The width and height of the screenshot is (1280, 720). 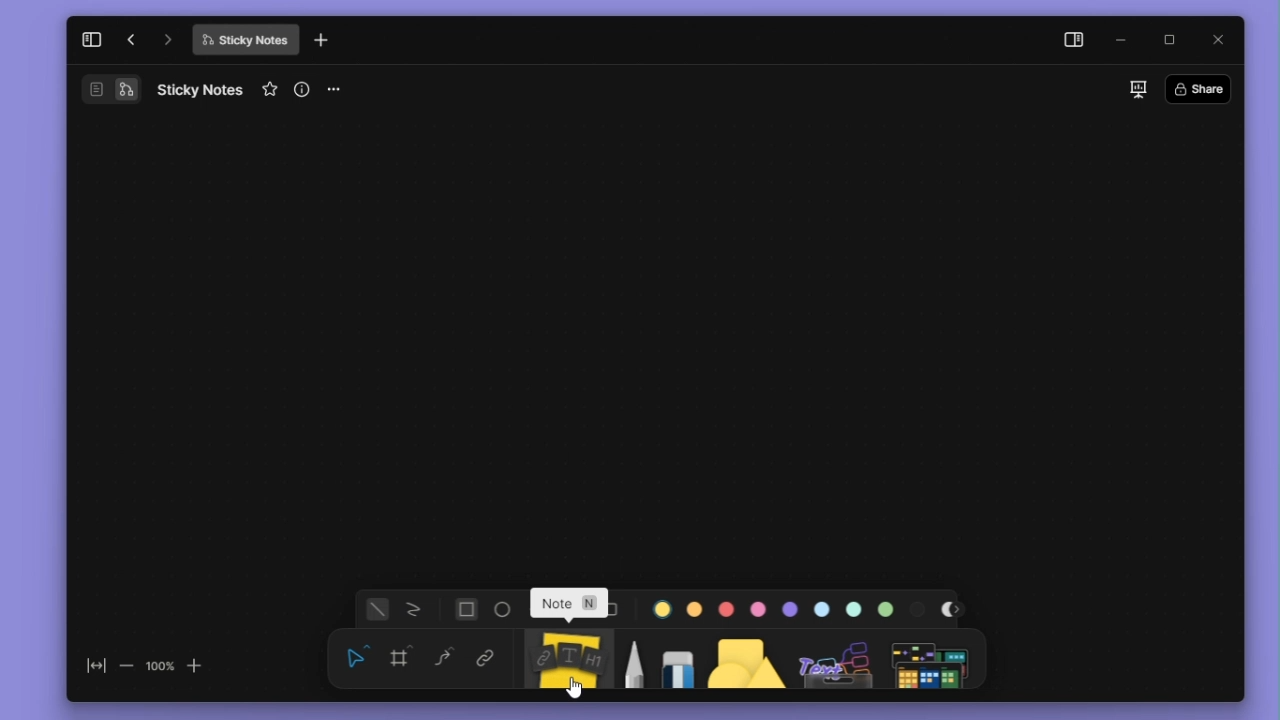 What do you see at coordinates (491, 660) in the screenshot?
I see `link` at bounding box center [491, 660].